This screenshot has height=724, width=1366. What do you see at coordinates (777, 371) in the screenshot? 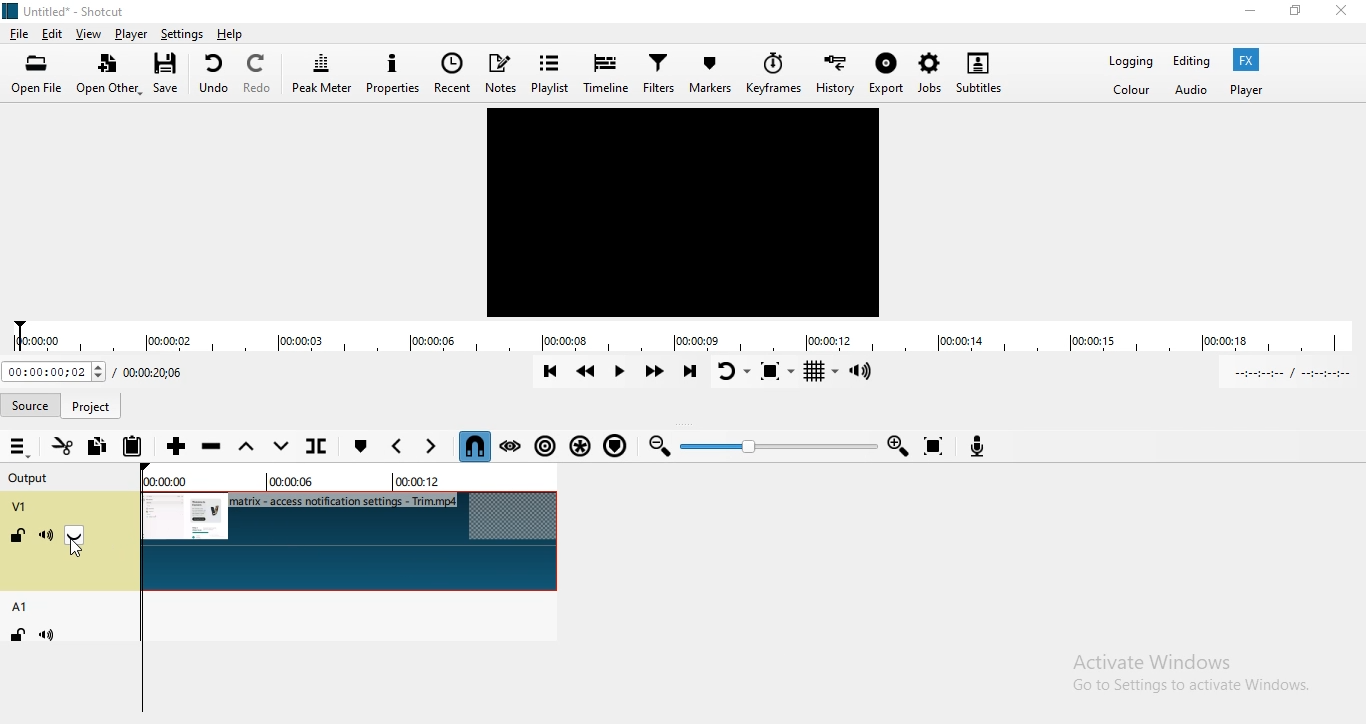
I see `Toggle zoom` at bounding box center [777, 371].